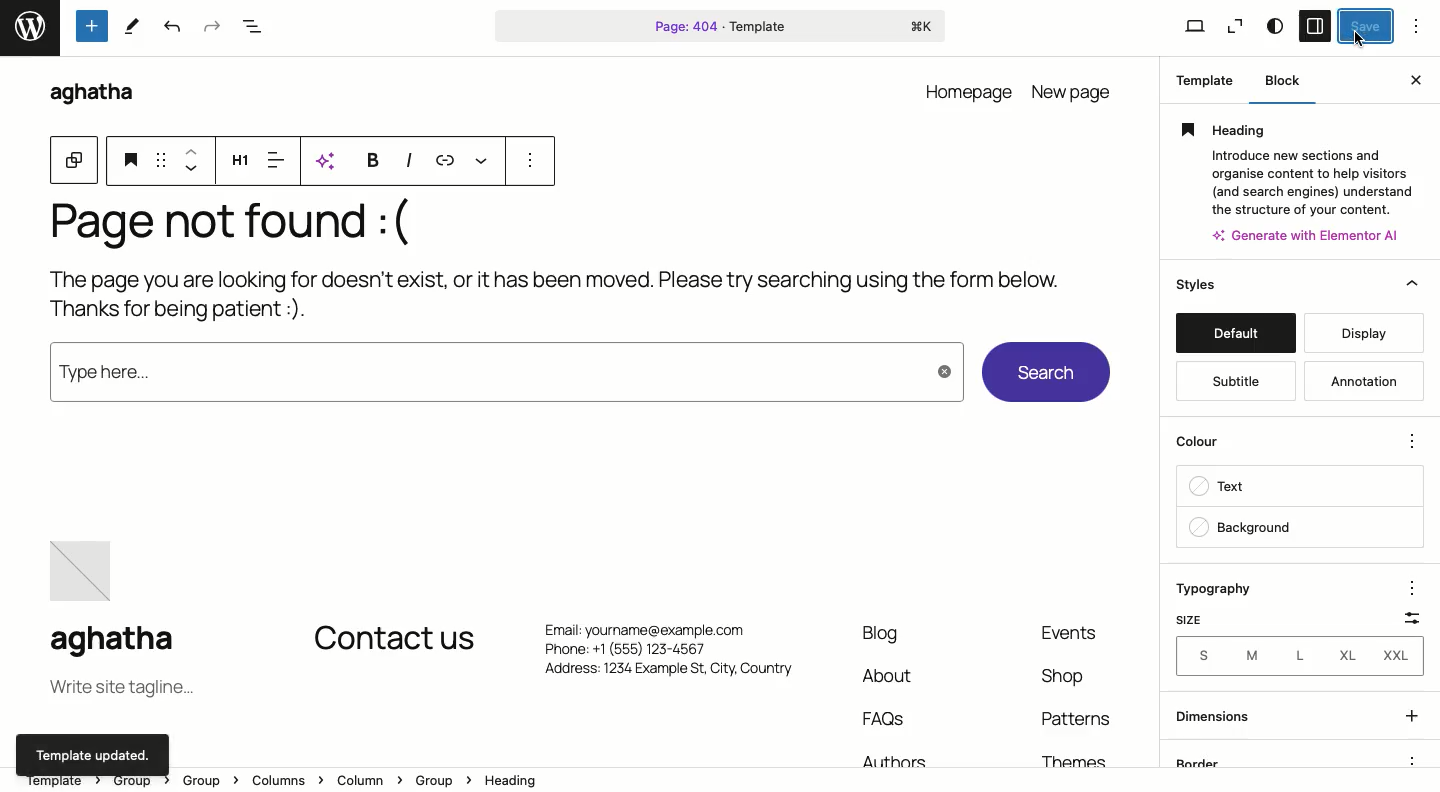  I want to click on Email: yourname@example.com, so click(658, 626).